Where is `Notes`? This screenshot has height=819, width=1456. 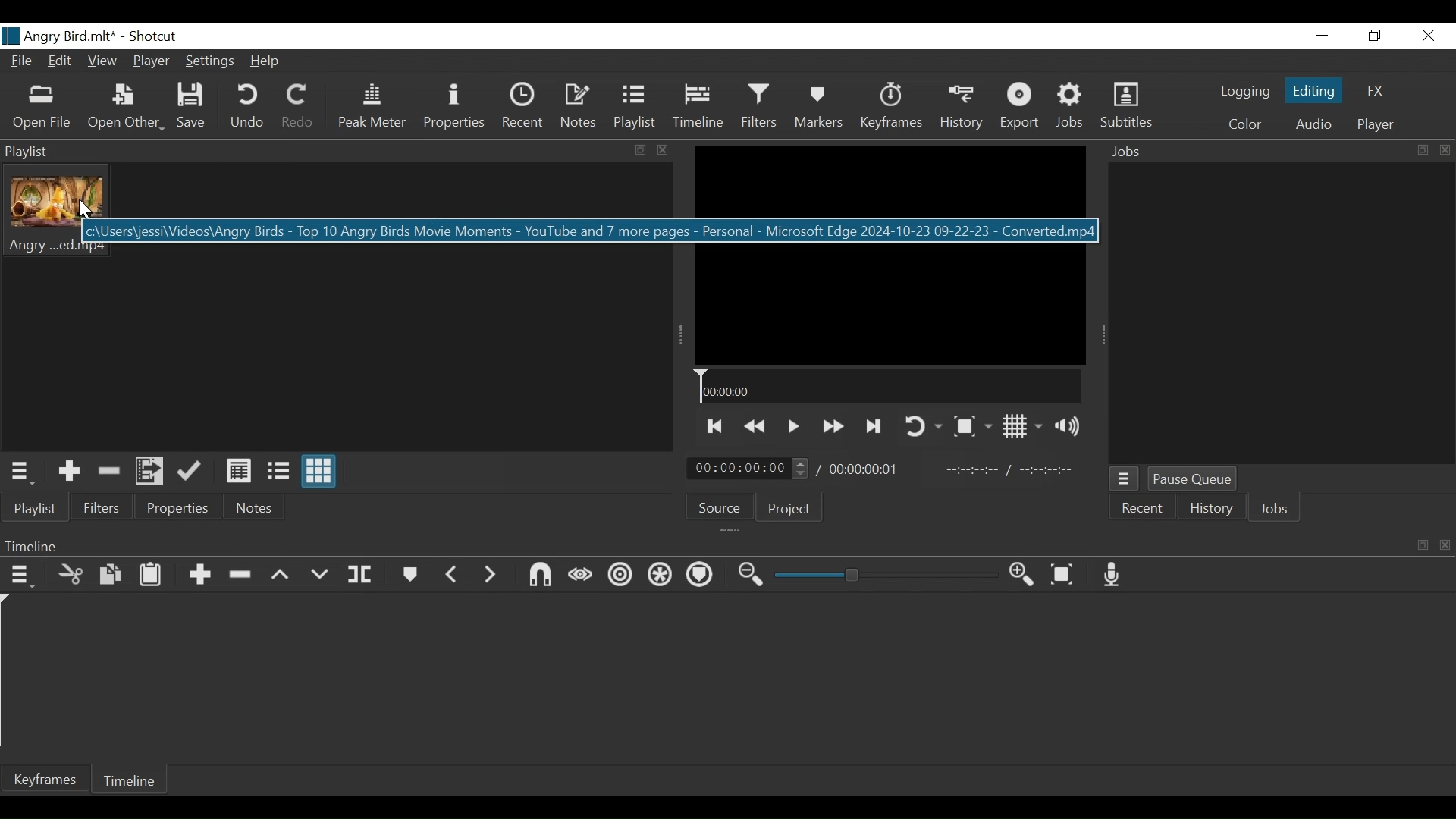
Notes is located at coordinates (256, 505).